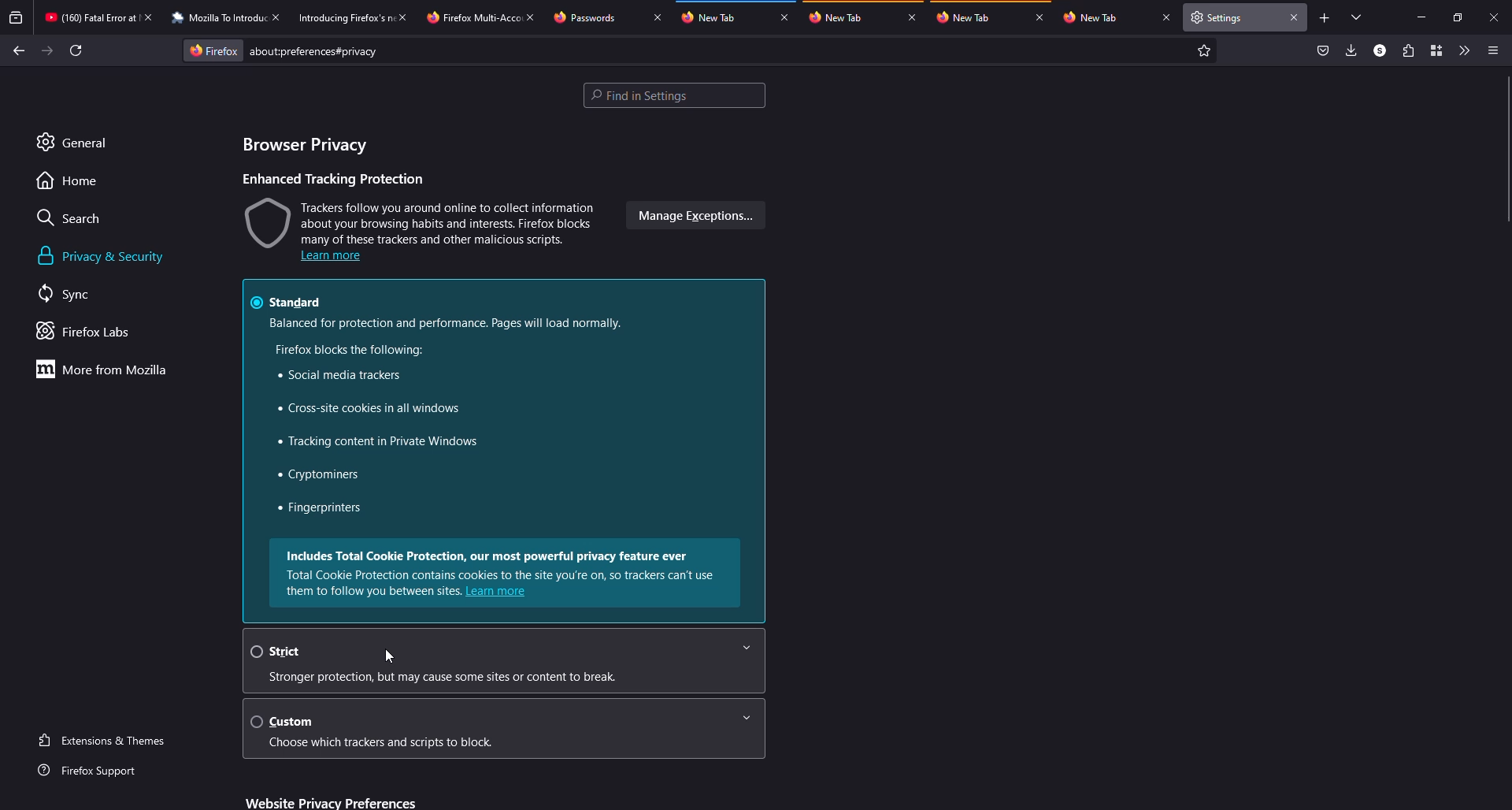 The image size is (1512, 810). I want to click on select, so click(255, 721).